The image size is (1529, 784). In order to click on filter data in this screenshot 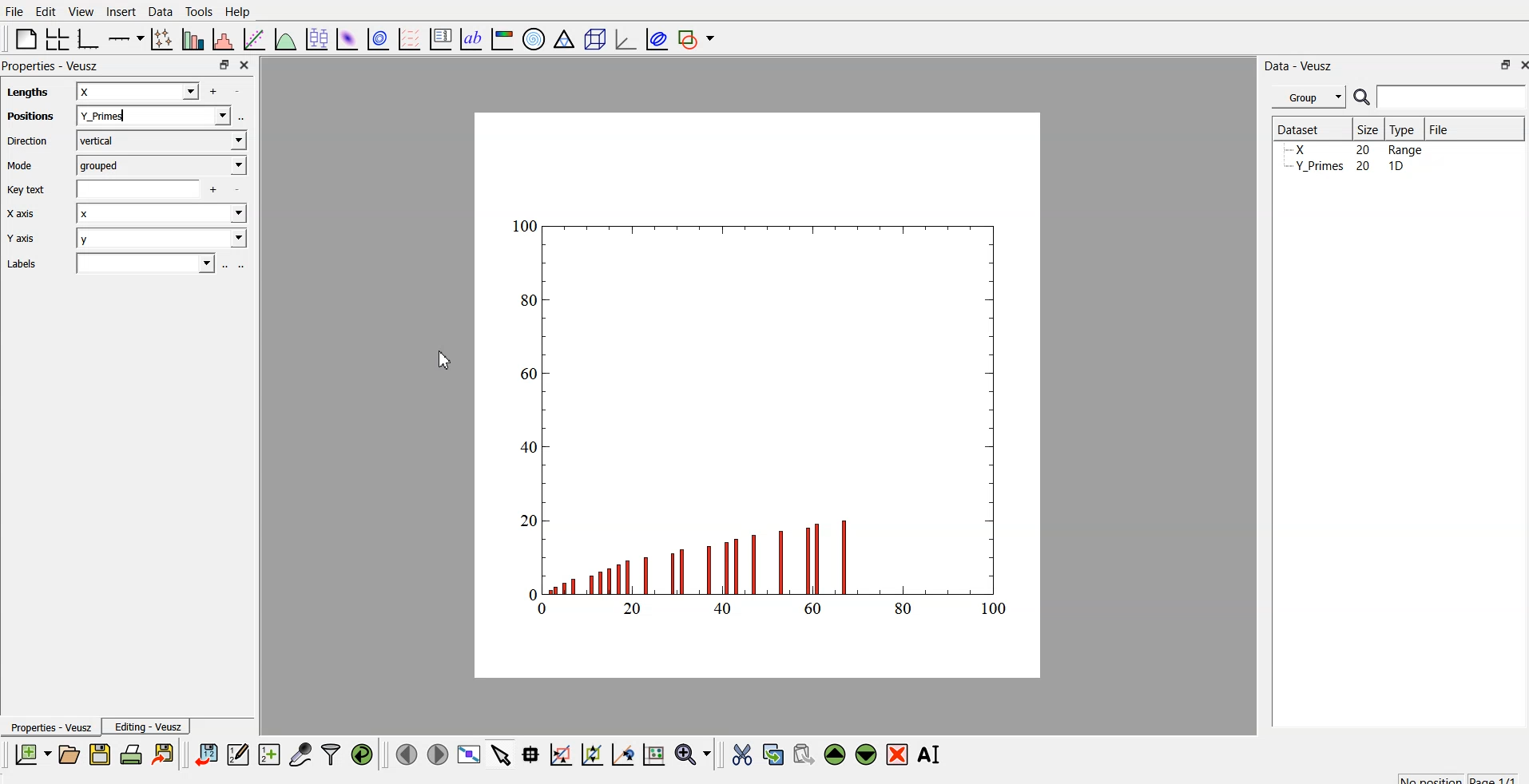, I will do `click(331, 752)`.